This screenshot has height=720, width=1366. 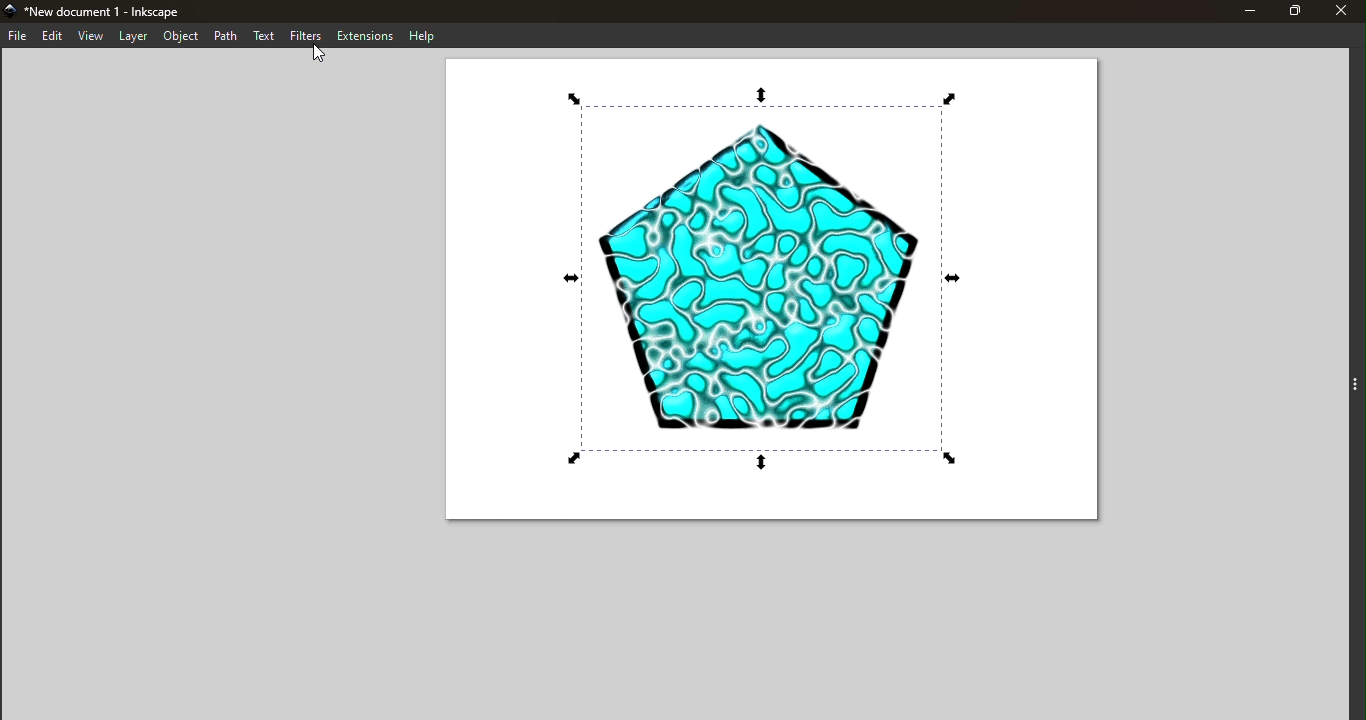 I want to click on Object, so click(x=178, y=36).